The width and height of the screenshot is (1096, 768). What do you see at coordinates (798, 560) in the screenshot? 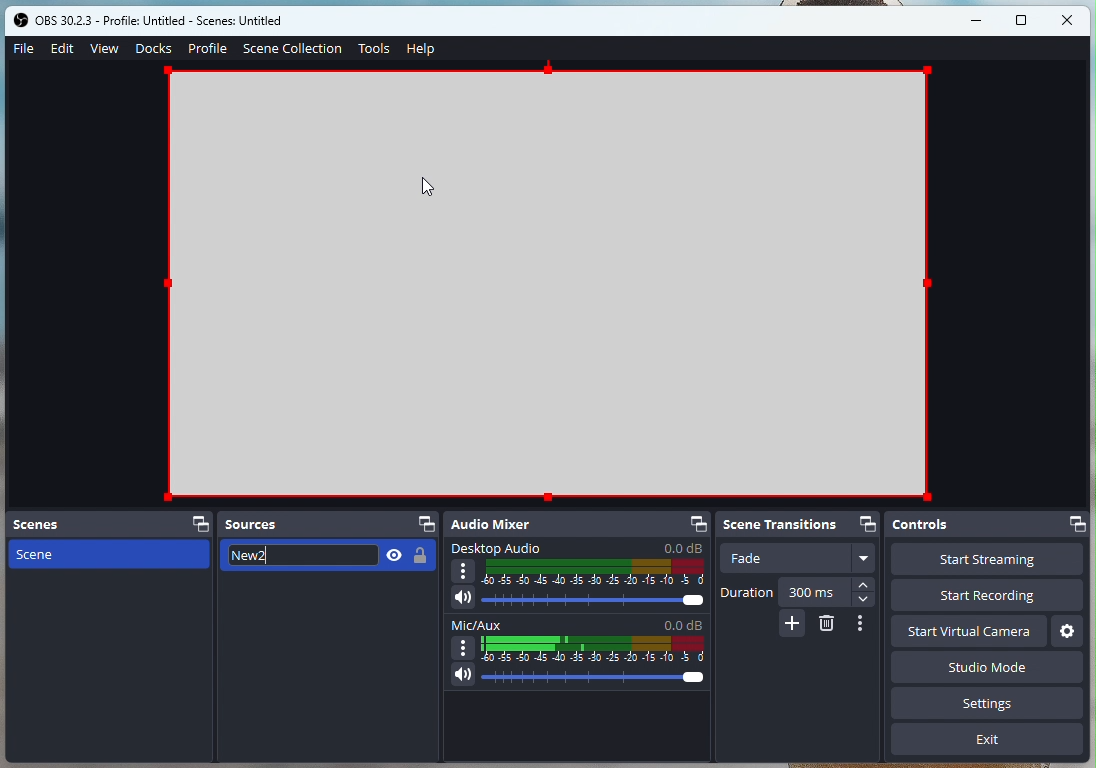
I see `Fade` at bounding box center [798, 560].